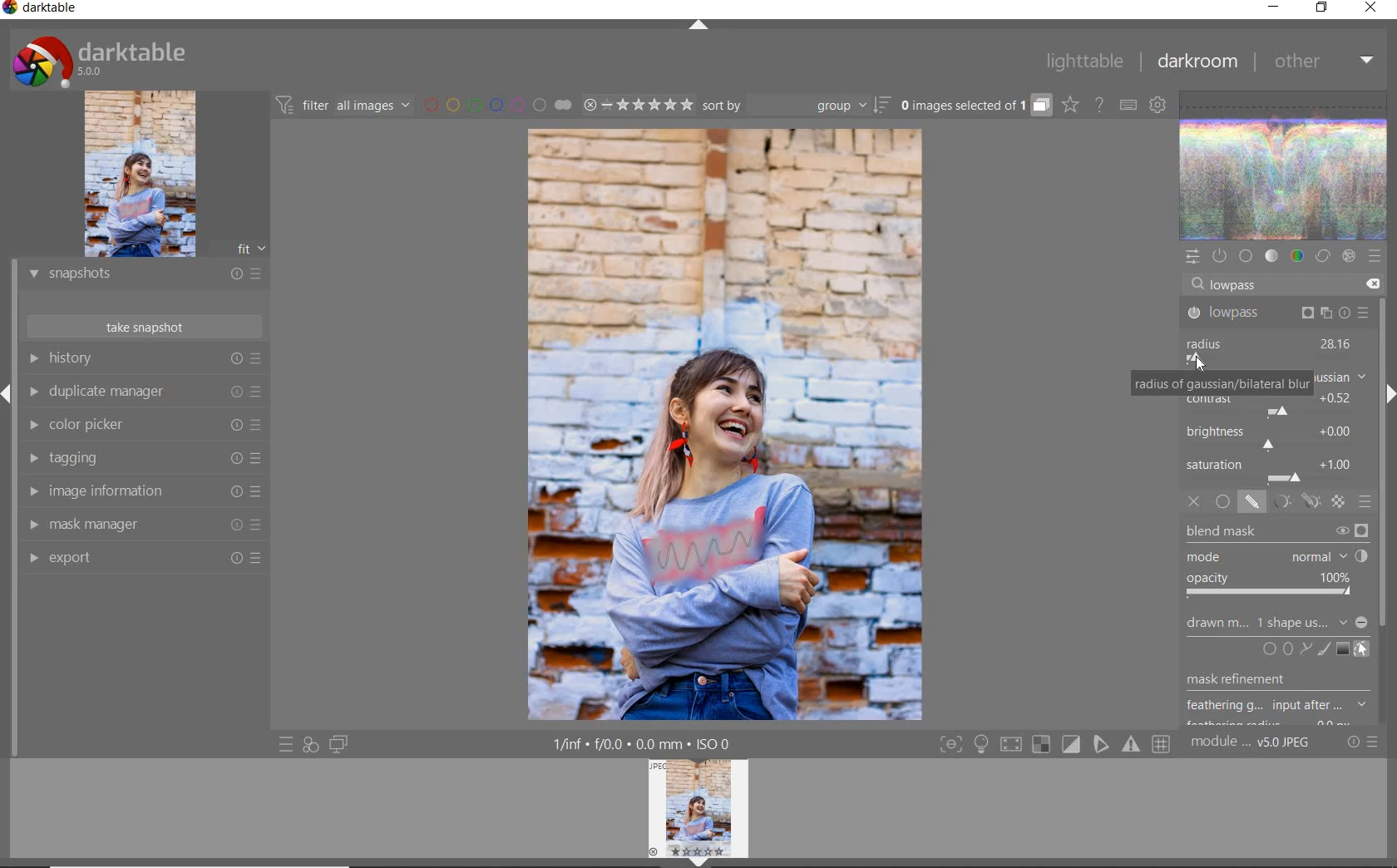  I want to click on image information, so click(142, 494).